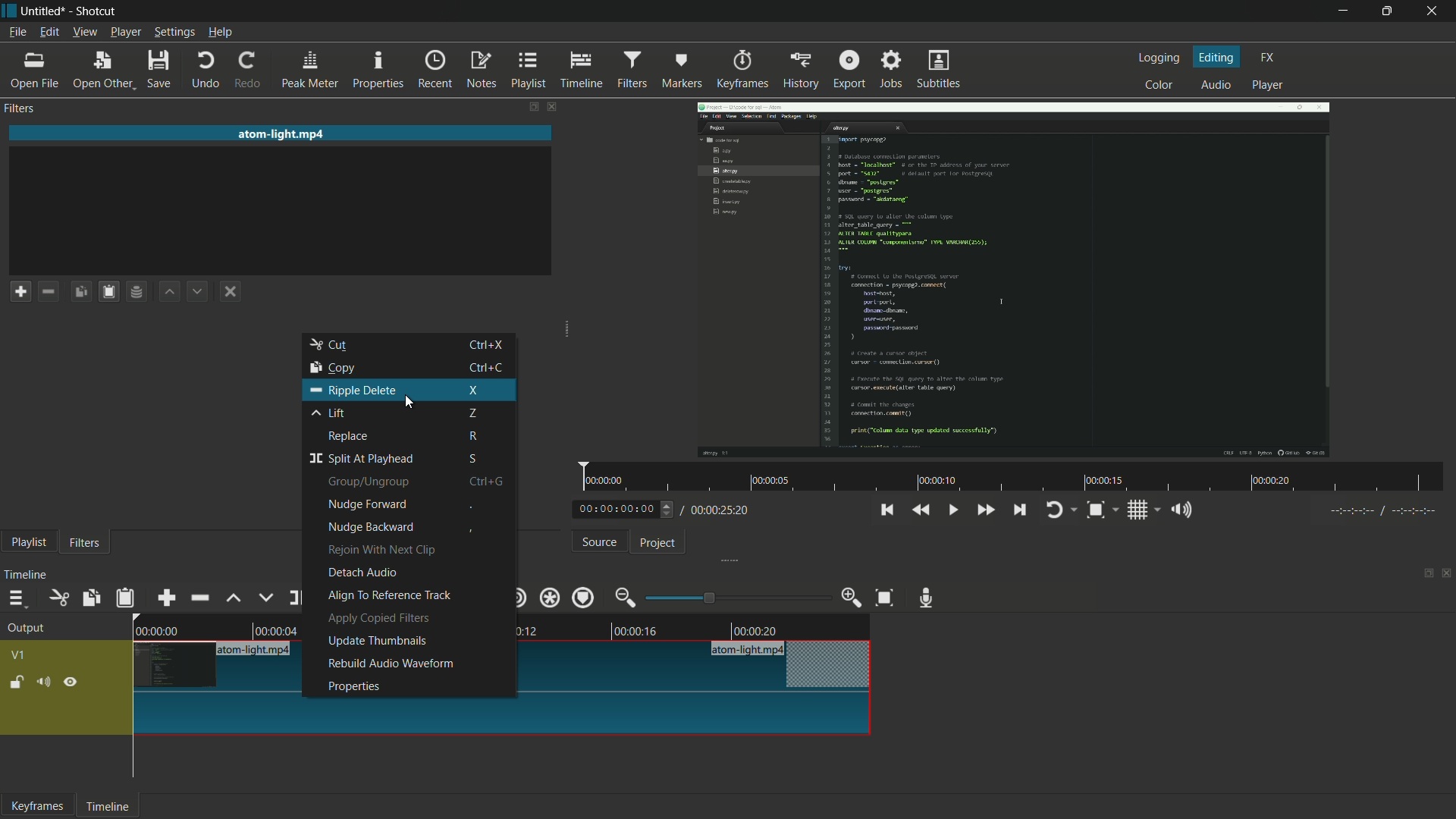 This screenshot has width=1456, height=819. Describe the element at coordinates (99, 11) in the screenshot. I see `app name` at that location.